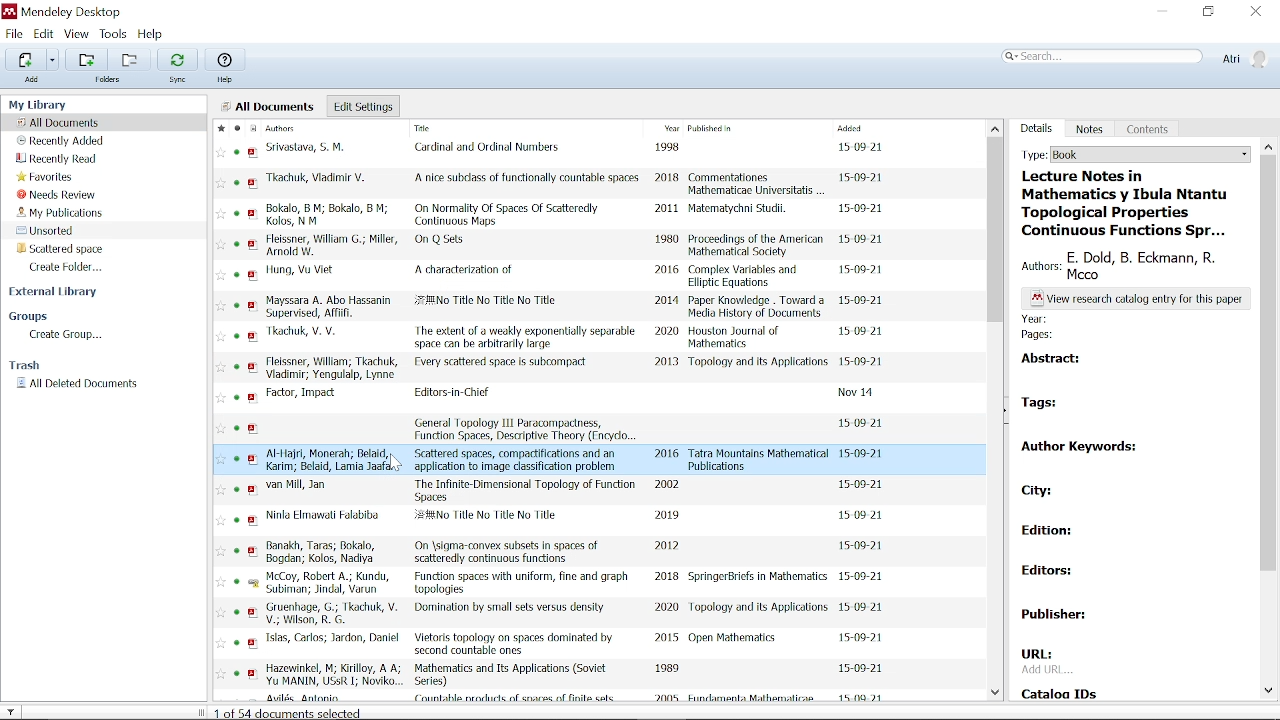 The width and height of the screenshot is (1280, 720). What do you see at coordinates (666, 514) in the screenshot?
I see `2019` at bounding box center [666, 514].